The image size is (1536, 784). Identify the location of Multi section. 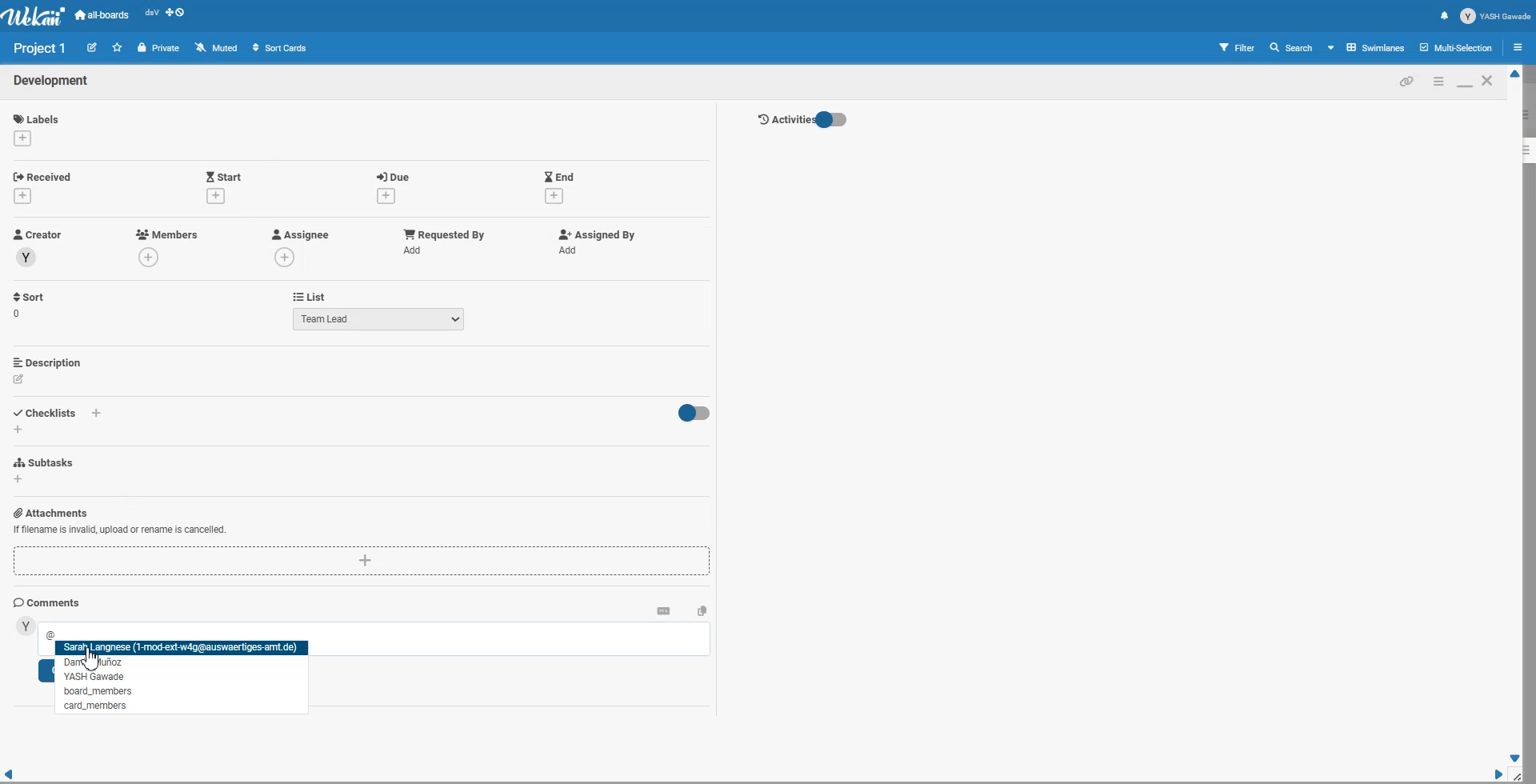
(1458, 47).